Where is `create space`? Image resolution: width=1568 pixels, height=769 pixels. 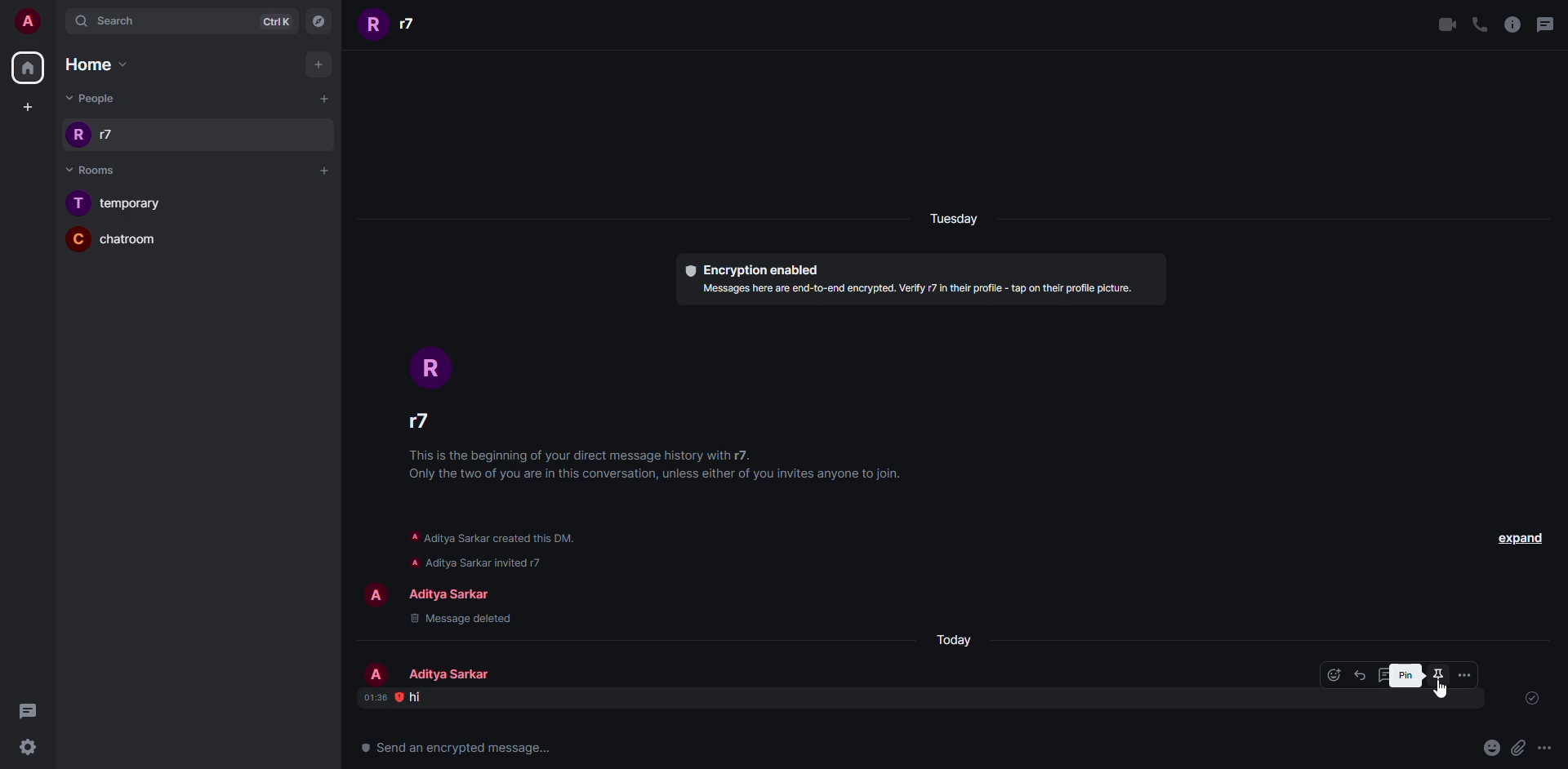 create space is located at coordinates (28, 104).